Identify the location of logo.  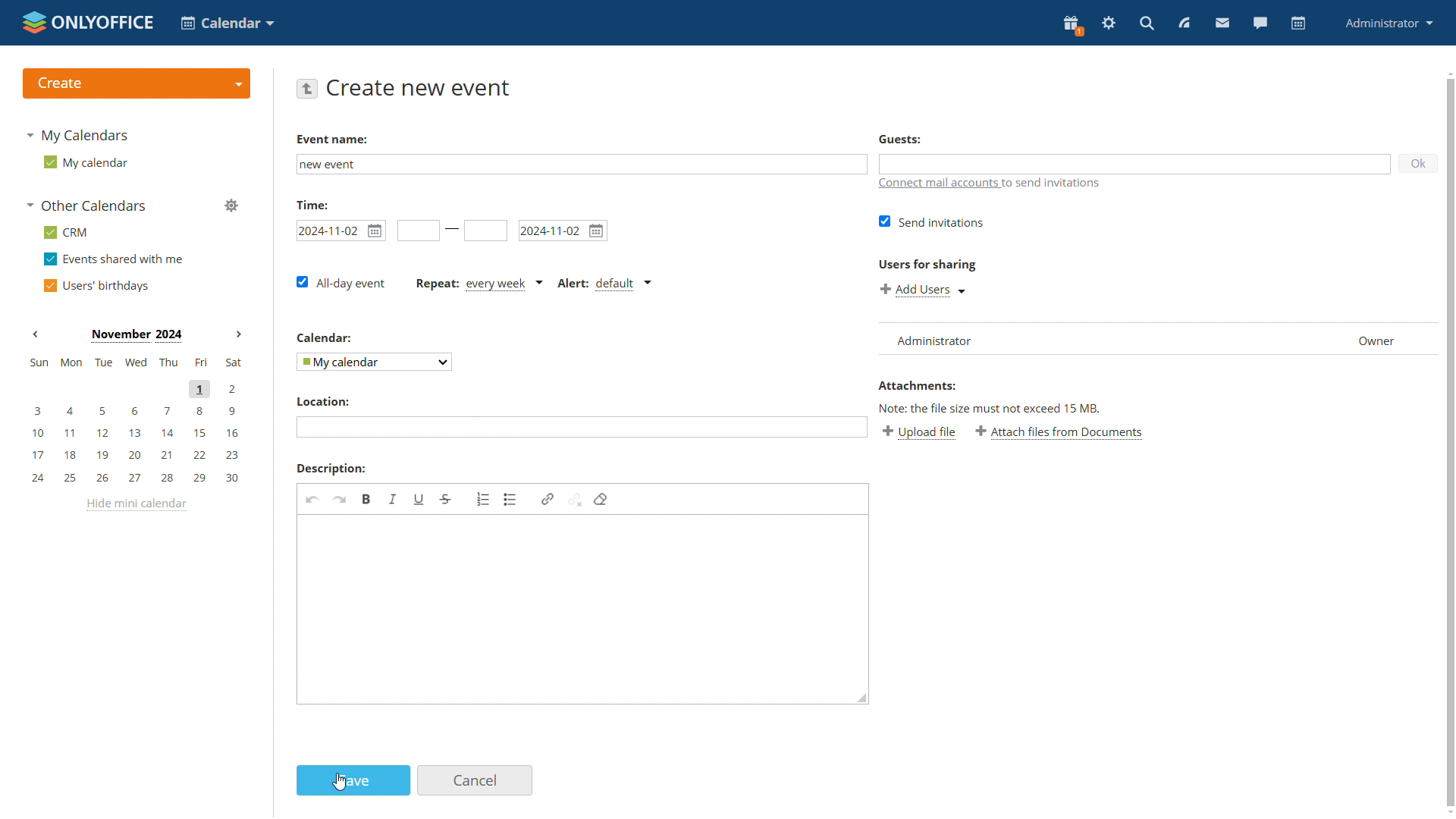
(86, 20).